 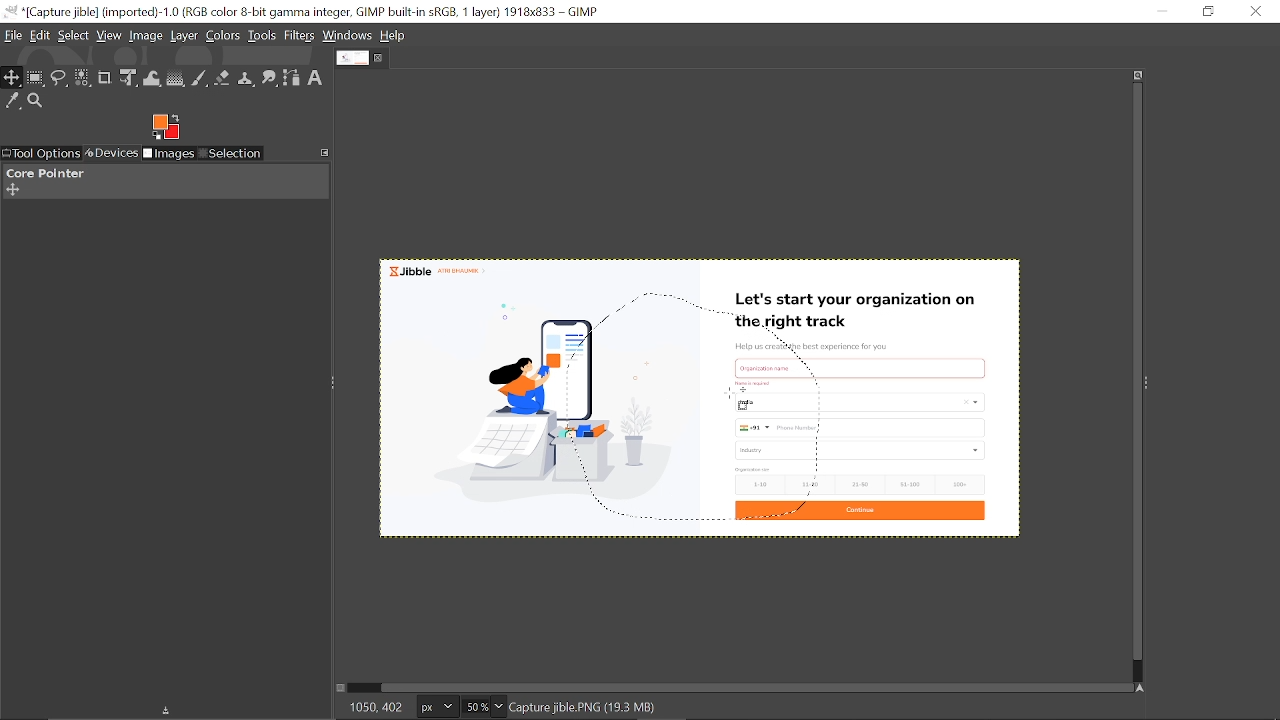 I want to click on 21-50, so click(x=862, y=484).